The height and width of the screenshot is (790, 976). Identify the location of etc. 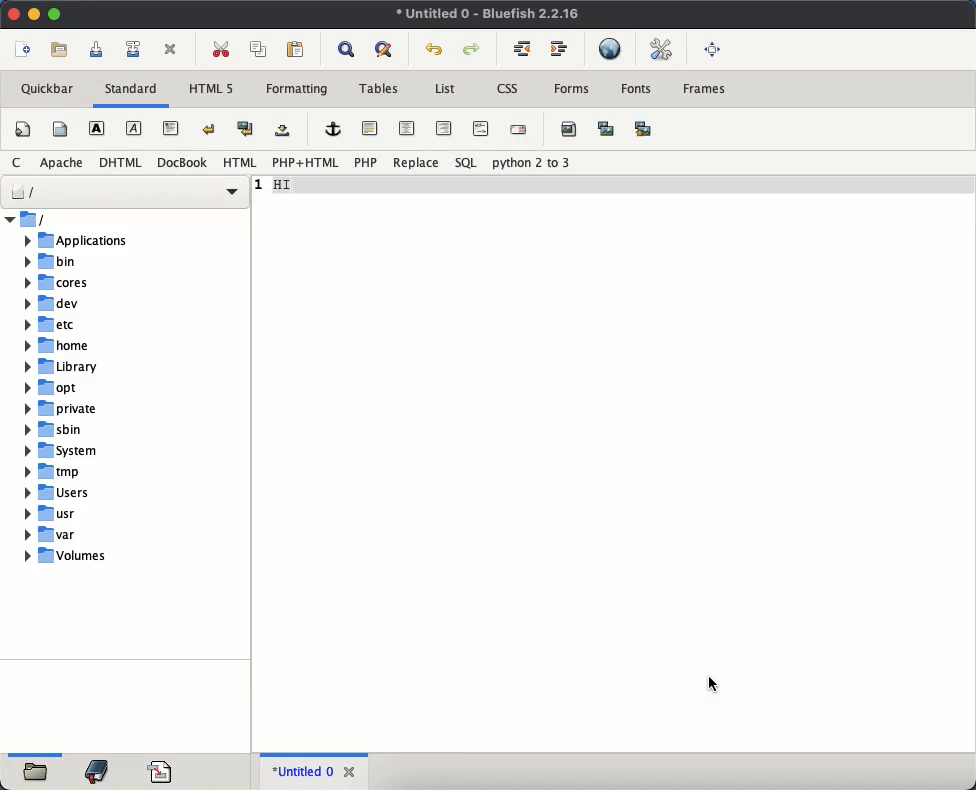
(98, 324).